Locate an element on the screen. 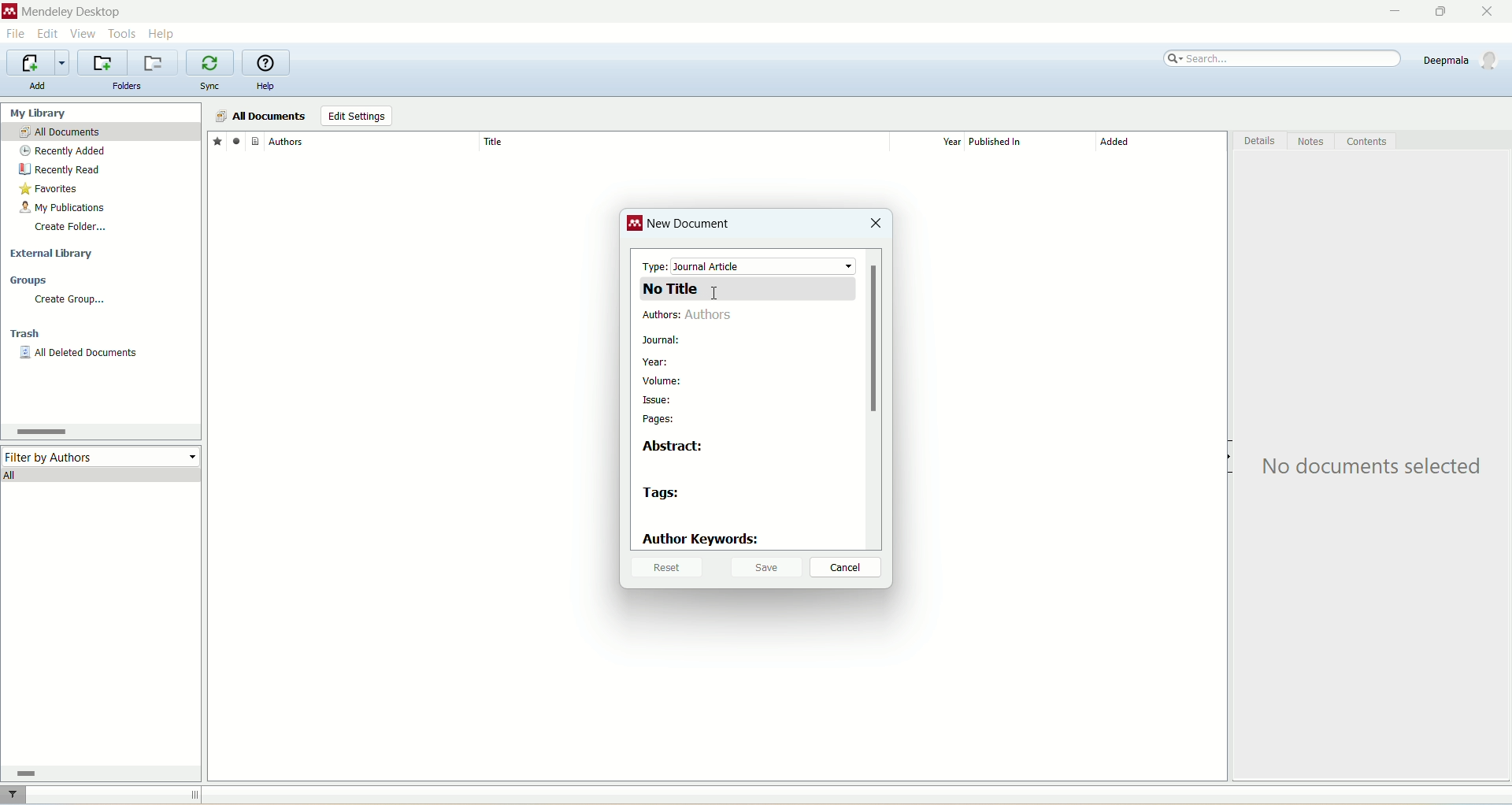 This screenshot has height=805, width=1512. pages is located at coordinates (661, 420).